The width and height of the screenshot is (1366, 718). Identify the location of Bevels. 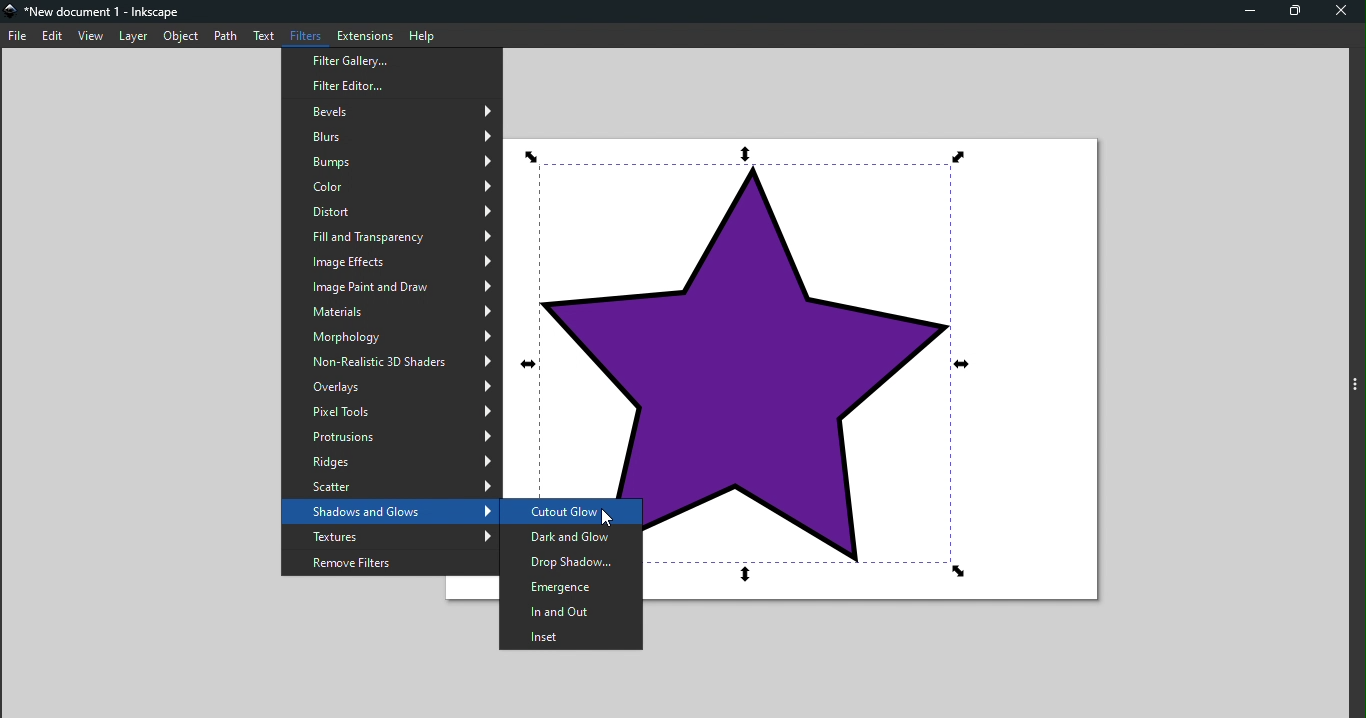
(395, 113).